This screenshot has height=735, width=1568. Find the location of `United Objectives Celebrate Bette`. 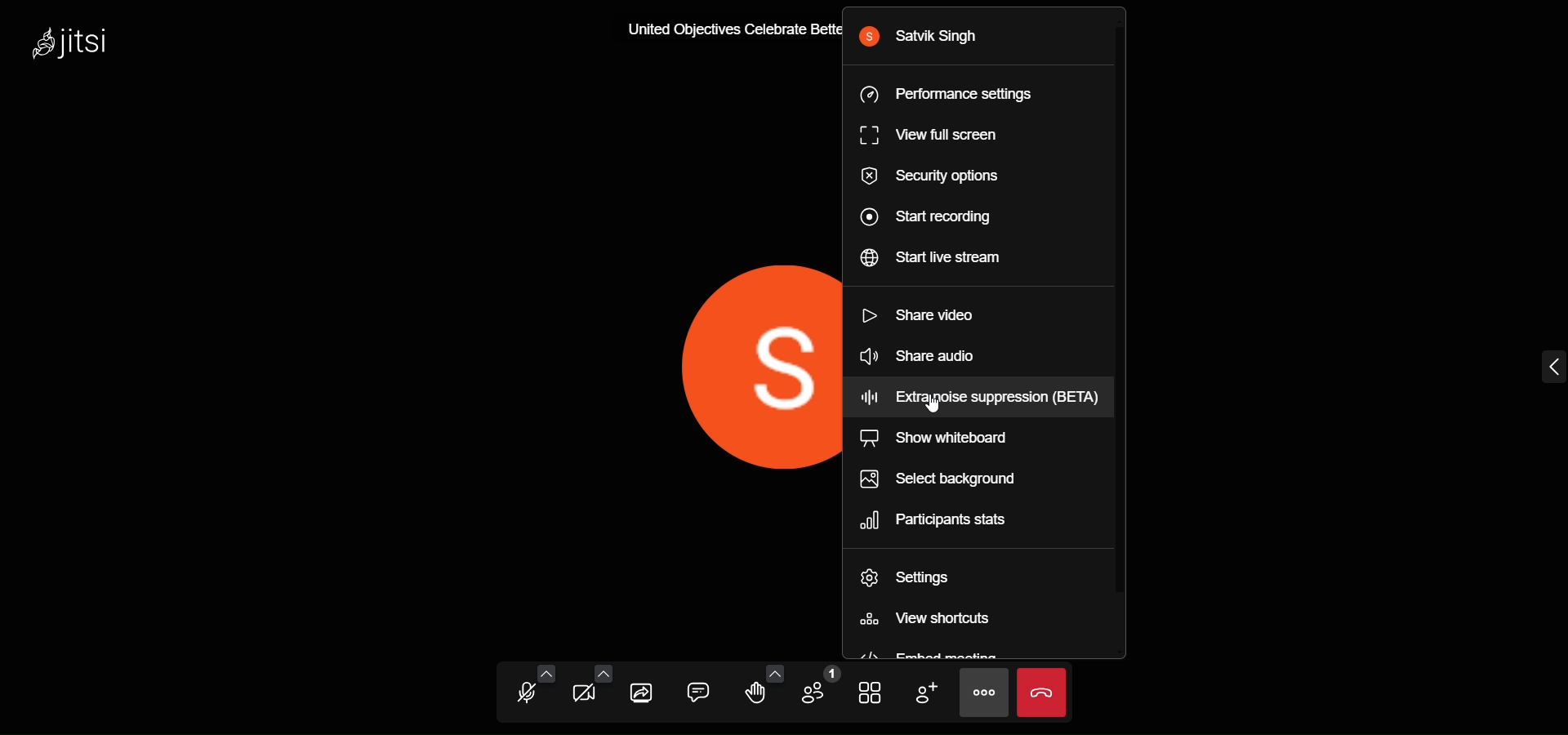

United Objectives Celebrate Bette is located at coordinates (724, 33).